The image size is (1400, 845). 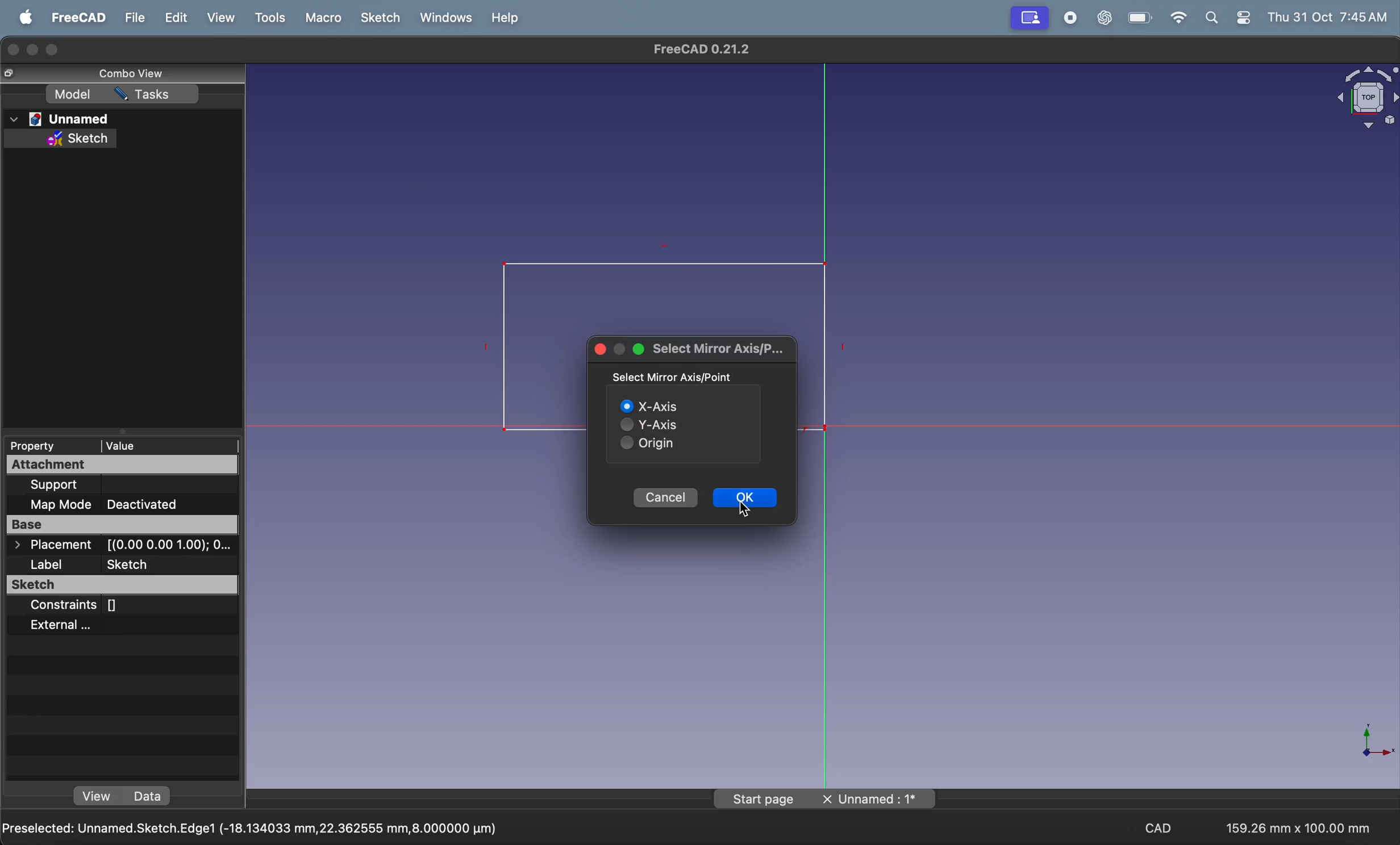 I want to click on unnamed, so click(x=73, y=118).